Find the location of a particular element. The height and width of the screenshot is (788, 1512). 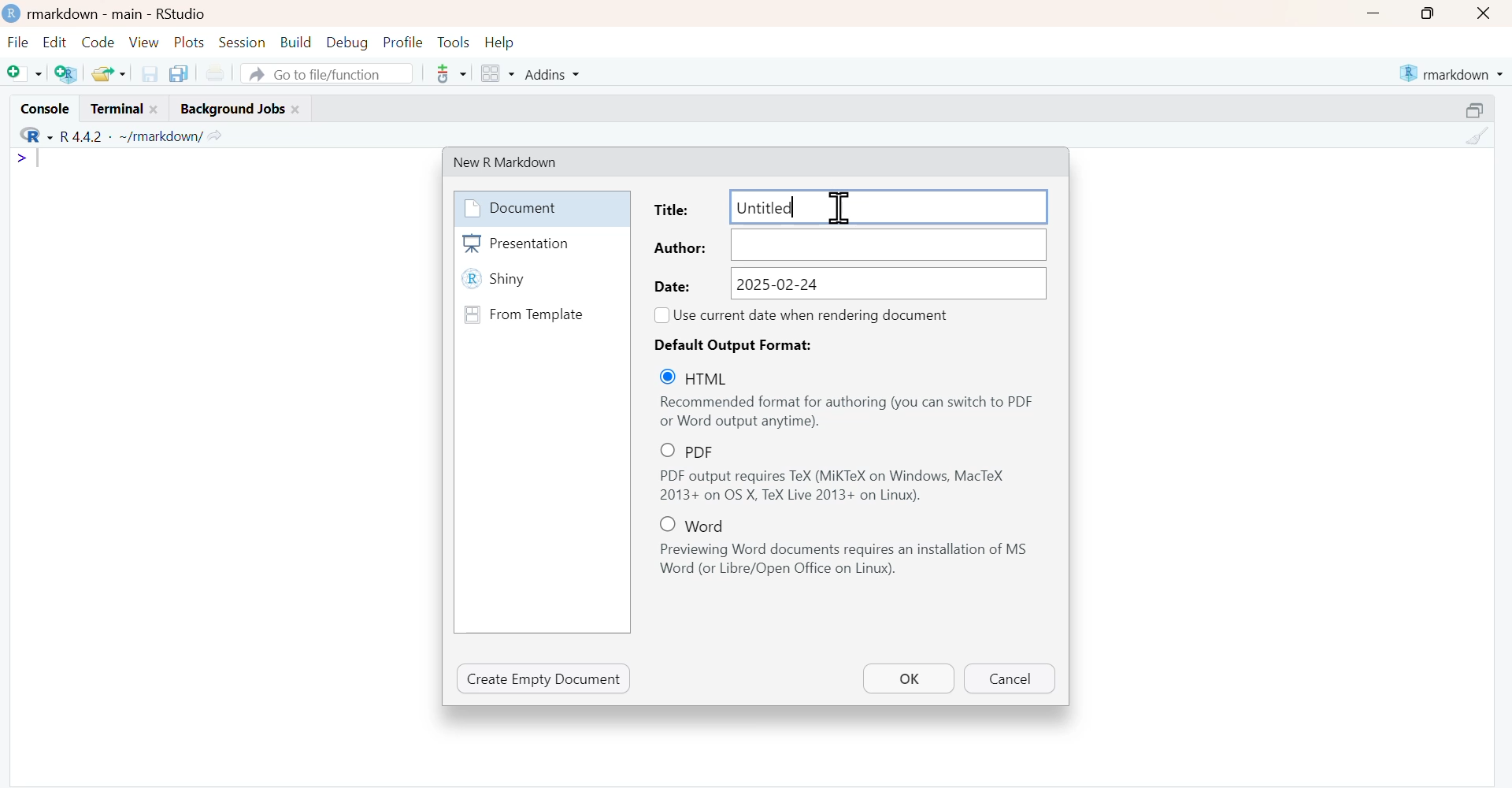

word is located at coordinates (700, 524).